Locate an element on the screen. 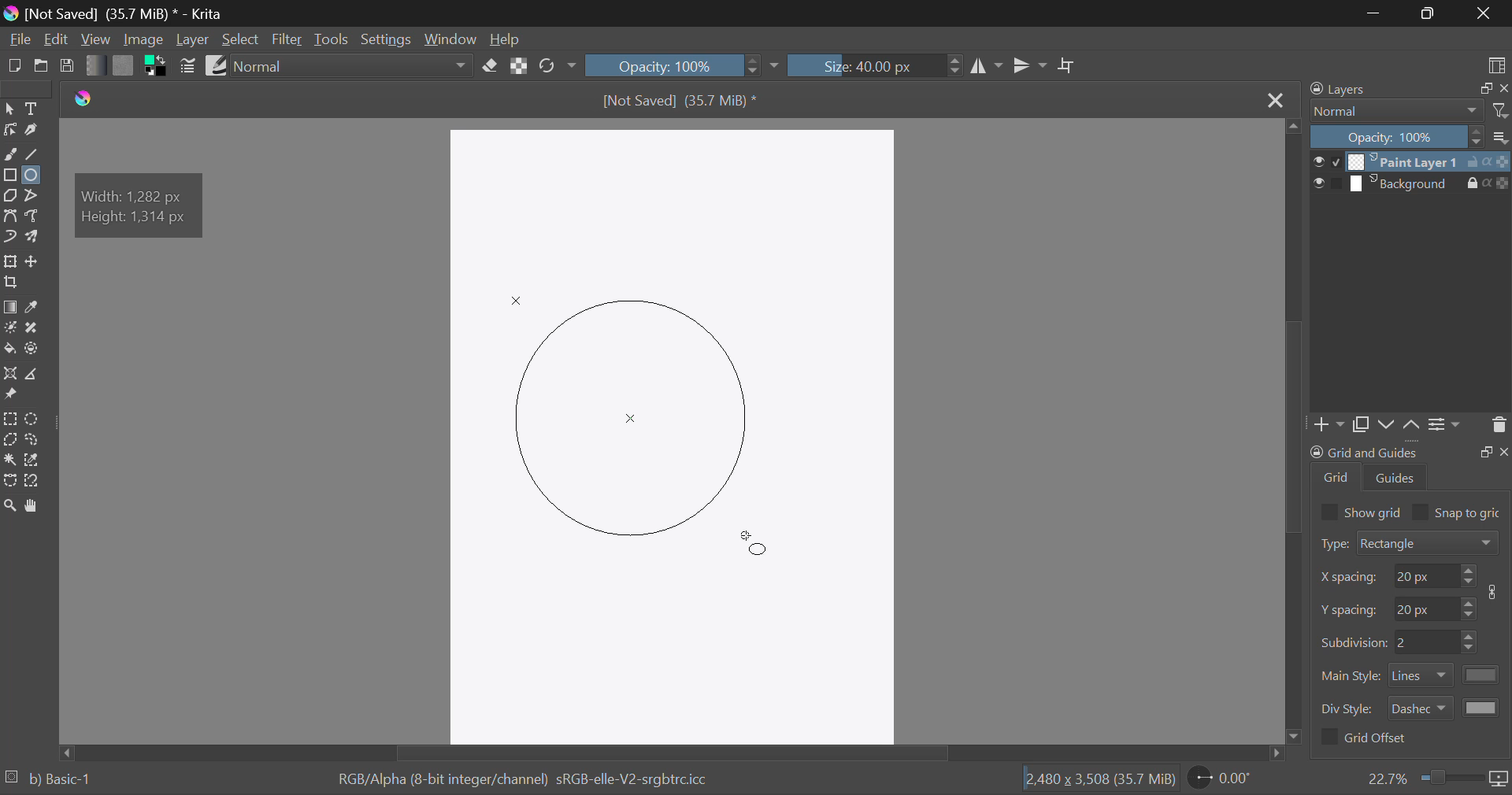 The height and width of the screenshot is (795, 1512). logo is located at coordinates (80, 102).